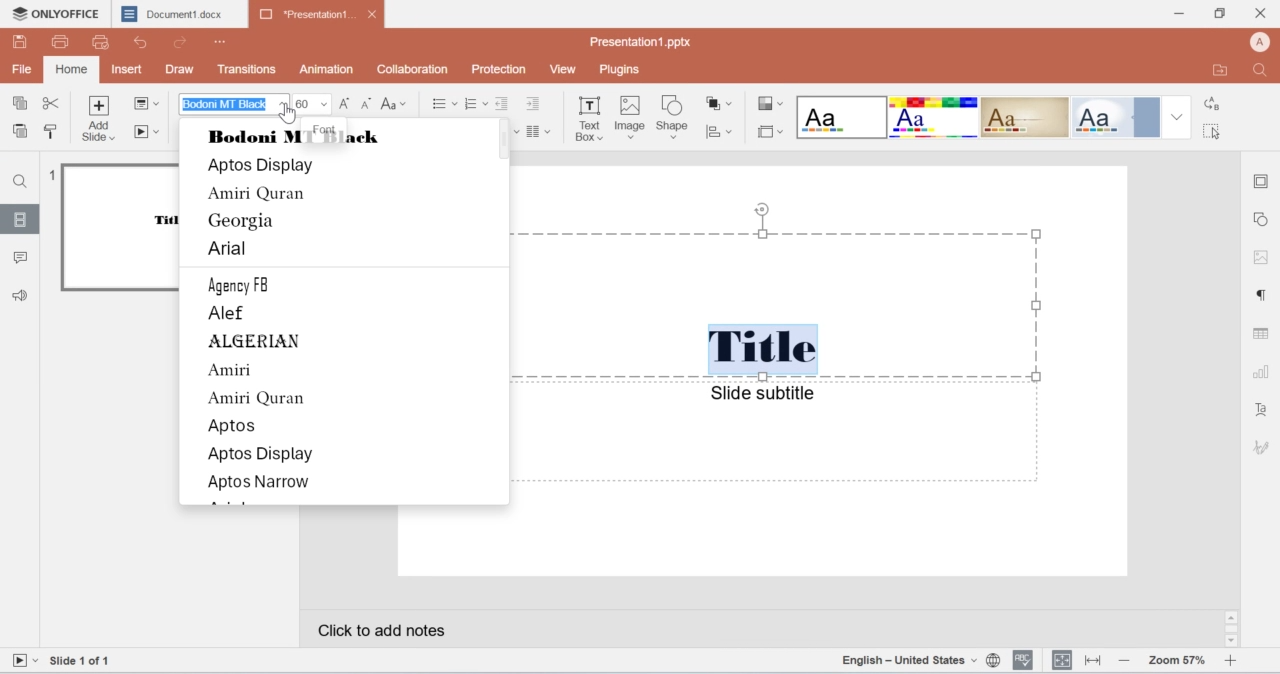 The width and height of the screenshot is (1280, 674). What do you see at coordinates (259, 482) in the screenshot?
I see `Aptos Narrow` at bounding box center [259, 482].